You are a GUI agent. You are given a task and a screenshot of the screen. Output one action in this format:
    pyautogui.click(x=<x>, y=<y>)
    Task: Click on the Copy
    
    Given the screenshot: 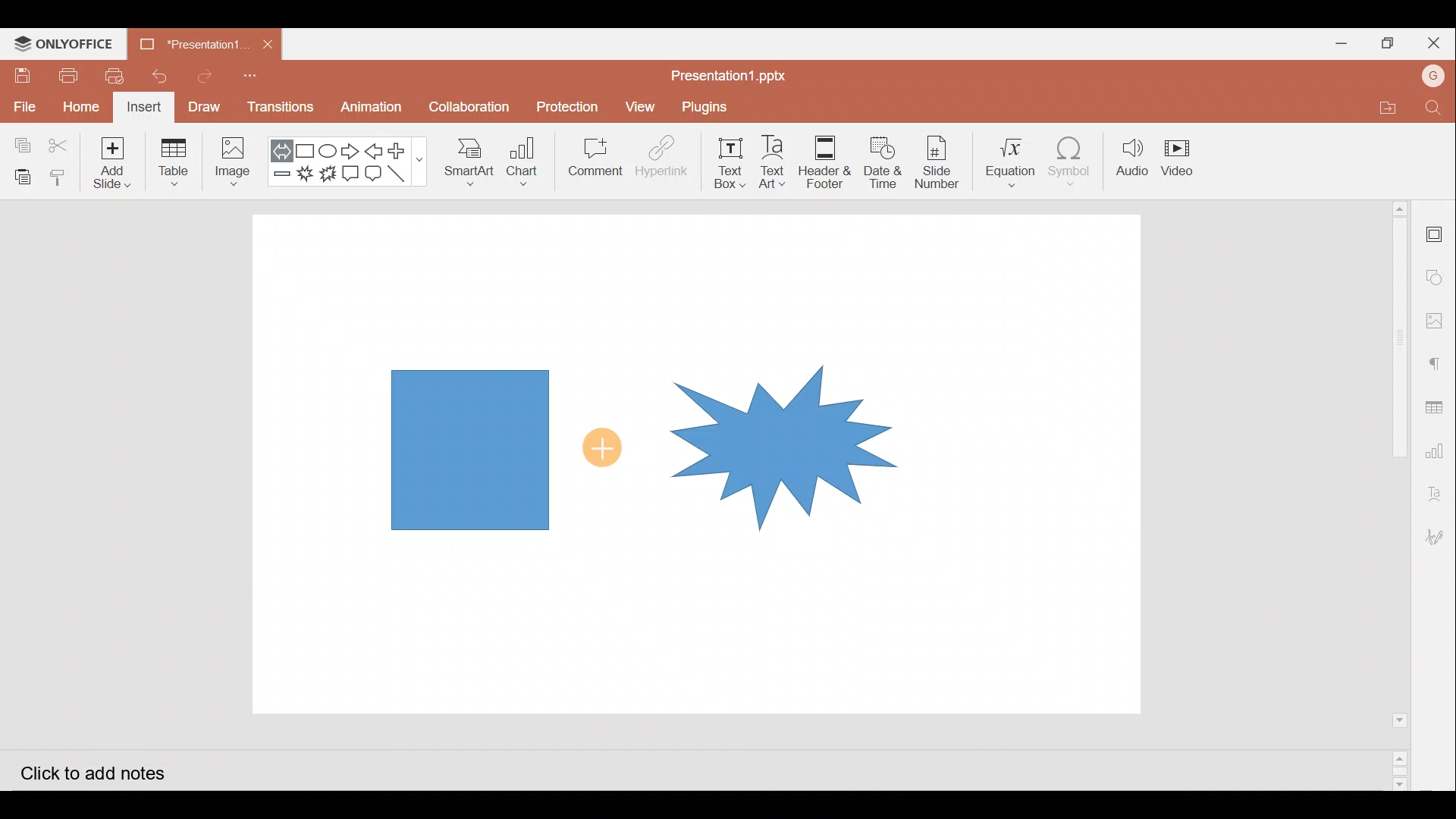 What is the action you would take?
    pyautogui.click(x=19, y=140)
    